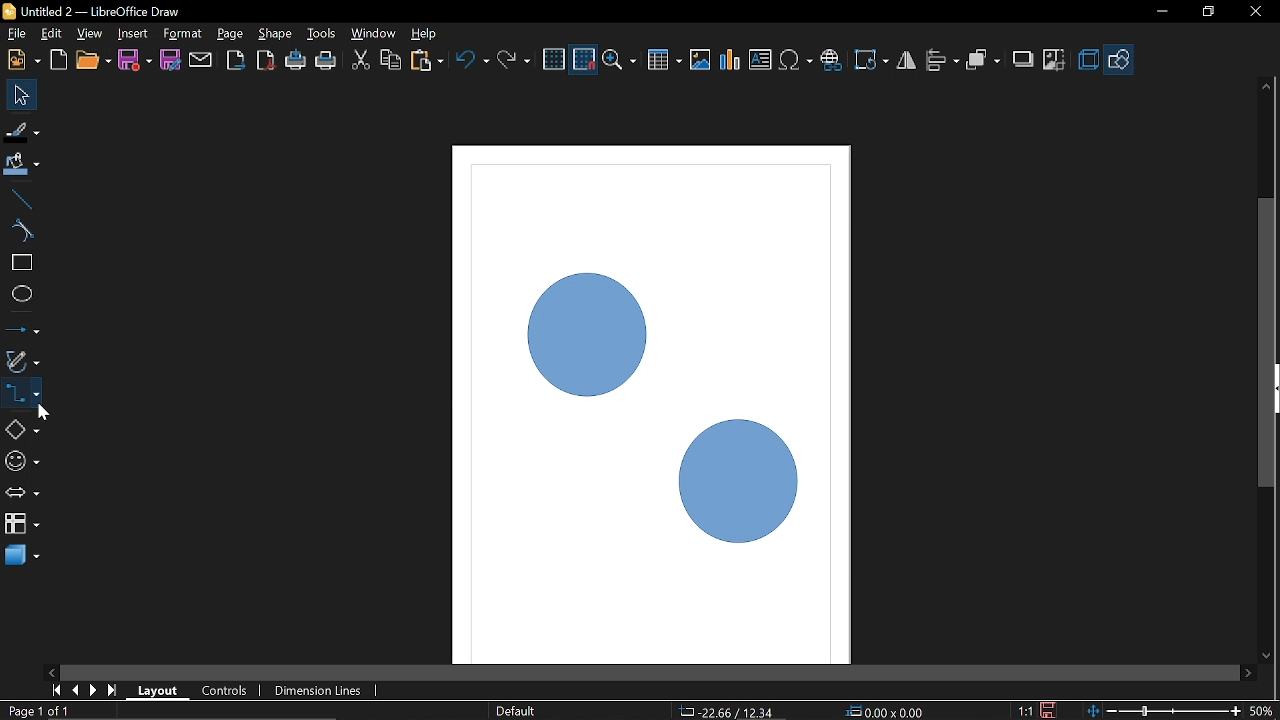 Image resolution: width=1280 pixels, height=720 pixels. What do you see at coordinates (115, 690) in the screenshot?
I see `go to last page` at bounding box center [115, 690].